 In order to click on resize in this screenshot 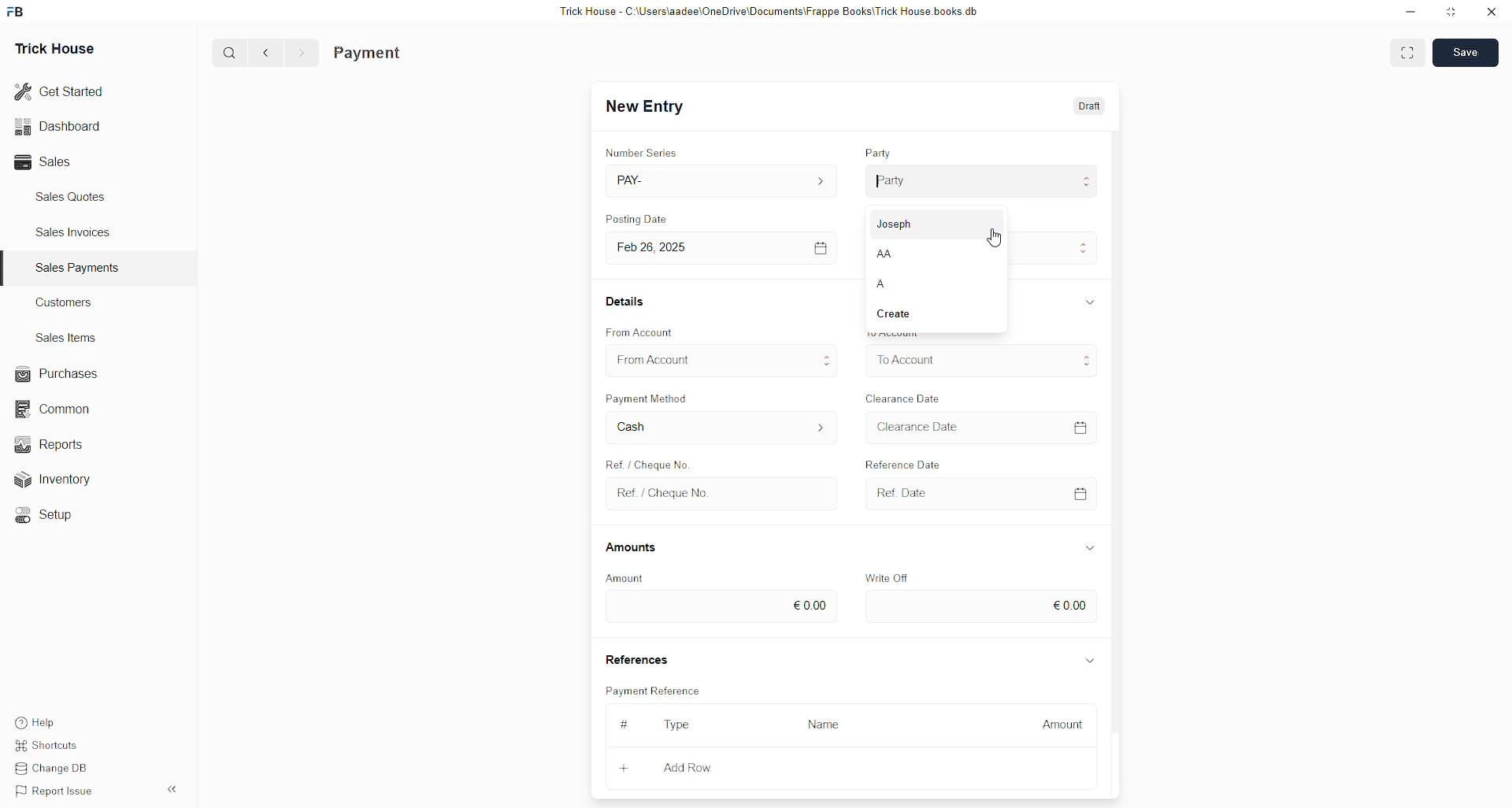, I will do `click(1452, 12)`.